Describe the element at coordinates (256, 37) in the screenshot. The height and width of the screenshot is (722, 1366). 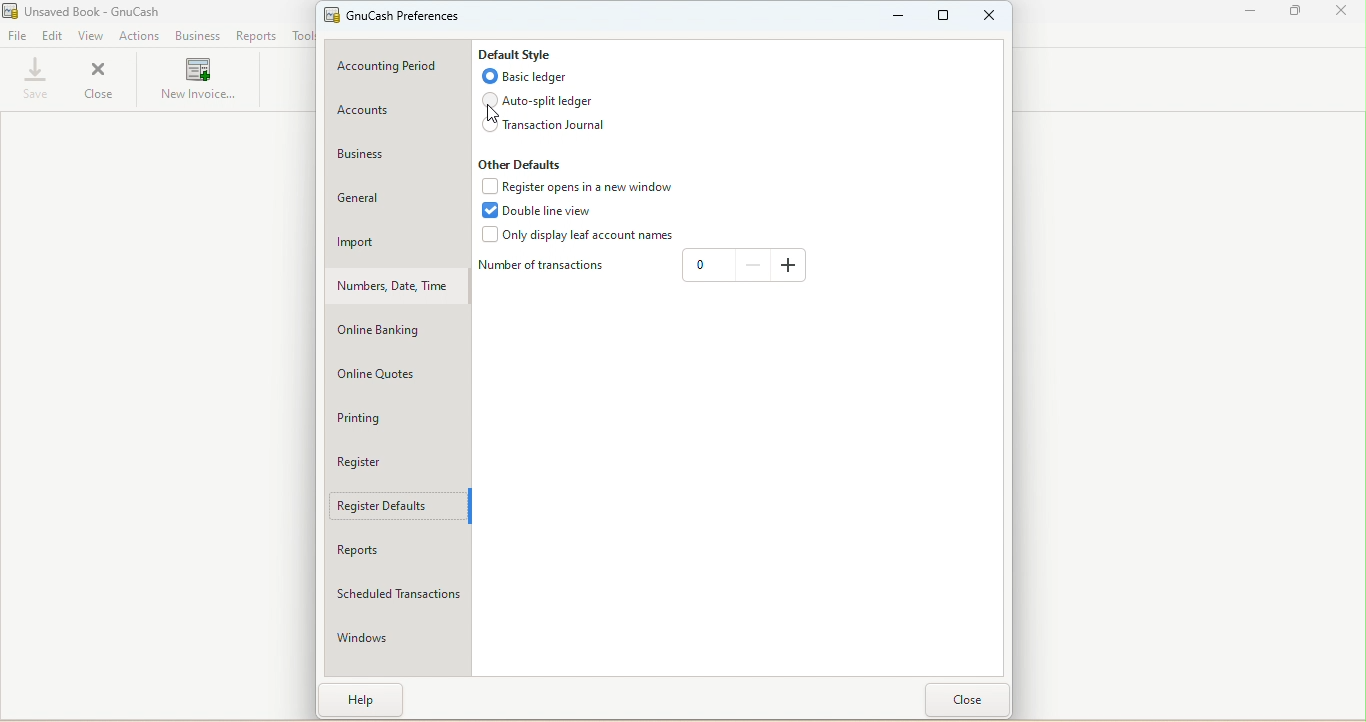
I see `Reports` at that location.